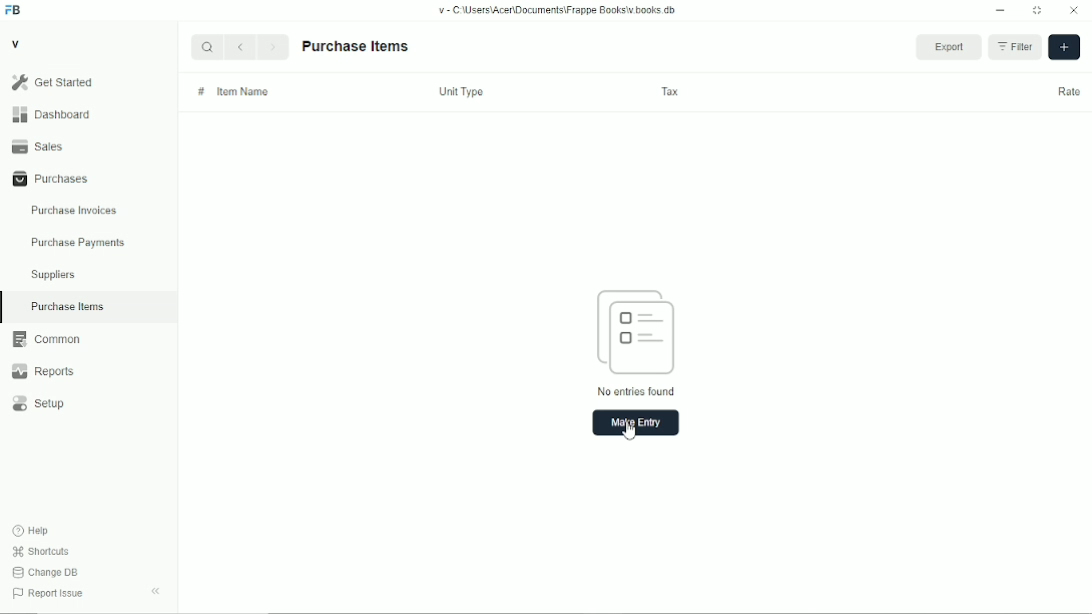 Image resolution: width=1092 pixels, height=614 pixels. Describe the element at coordinates (42, 371) in the screenshot. I see `reports` at that location.